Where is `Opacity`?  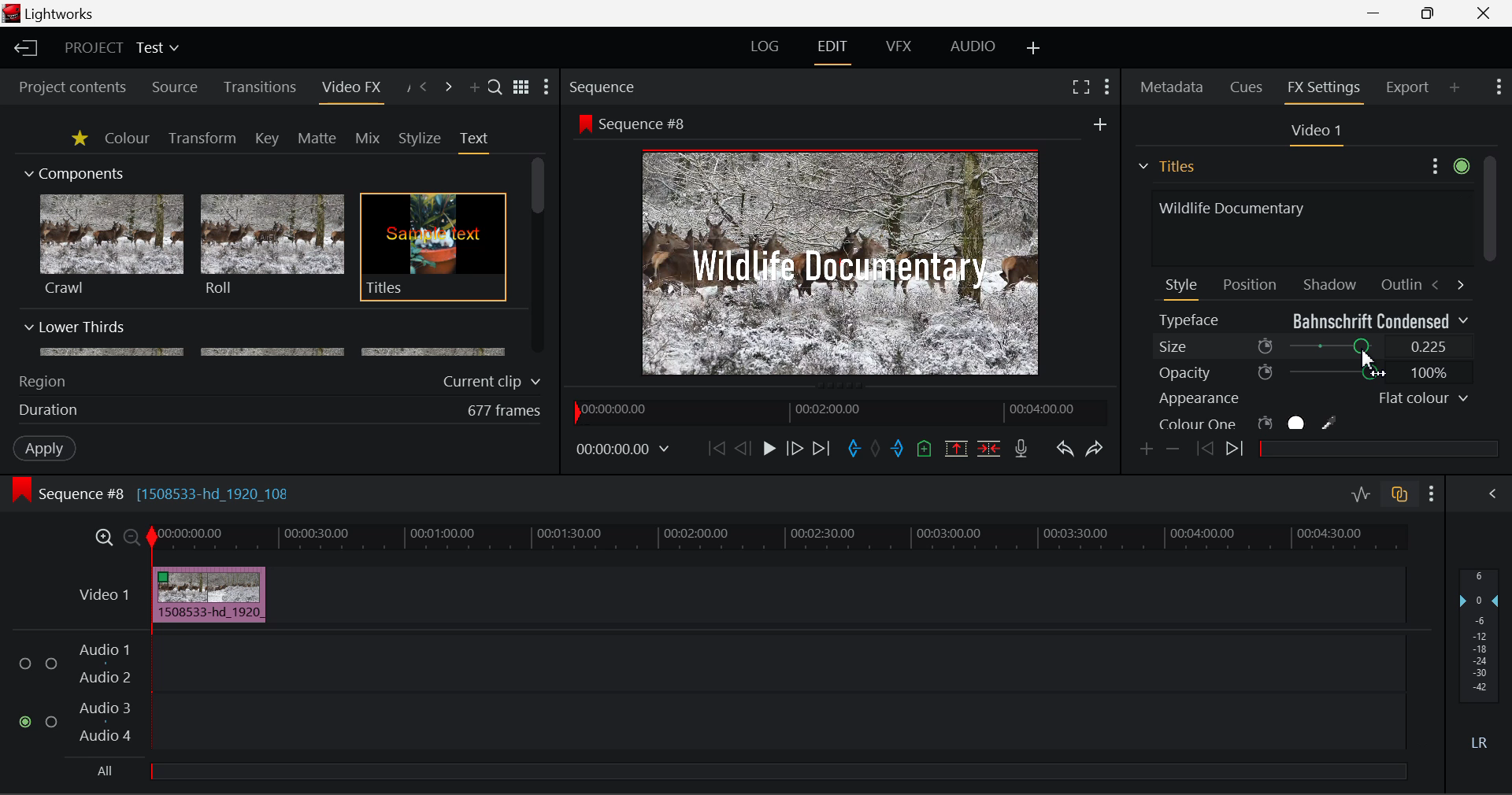 Opacity is located at coordinates (1314, 372).